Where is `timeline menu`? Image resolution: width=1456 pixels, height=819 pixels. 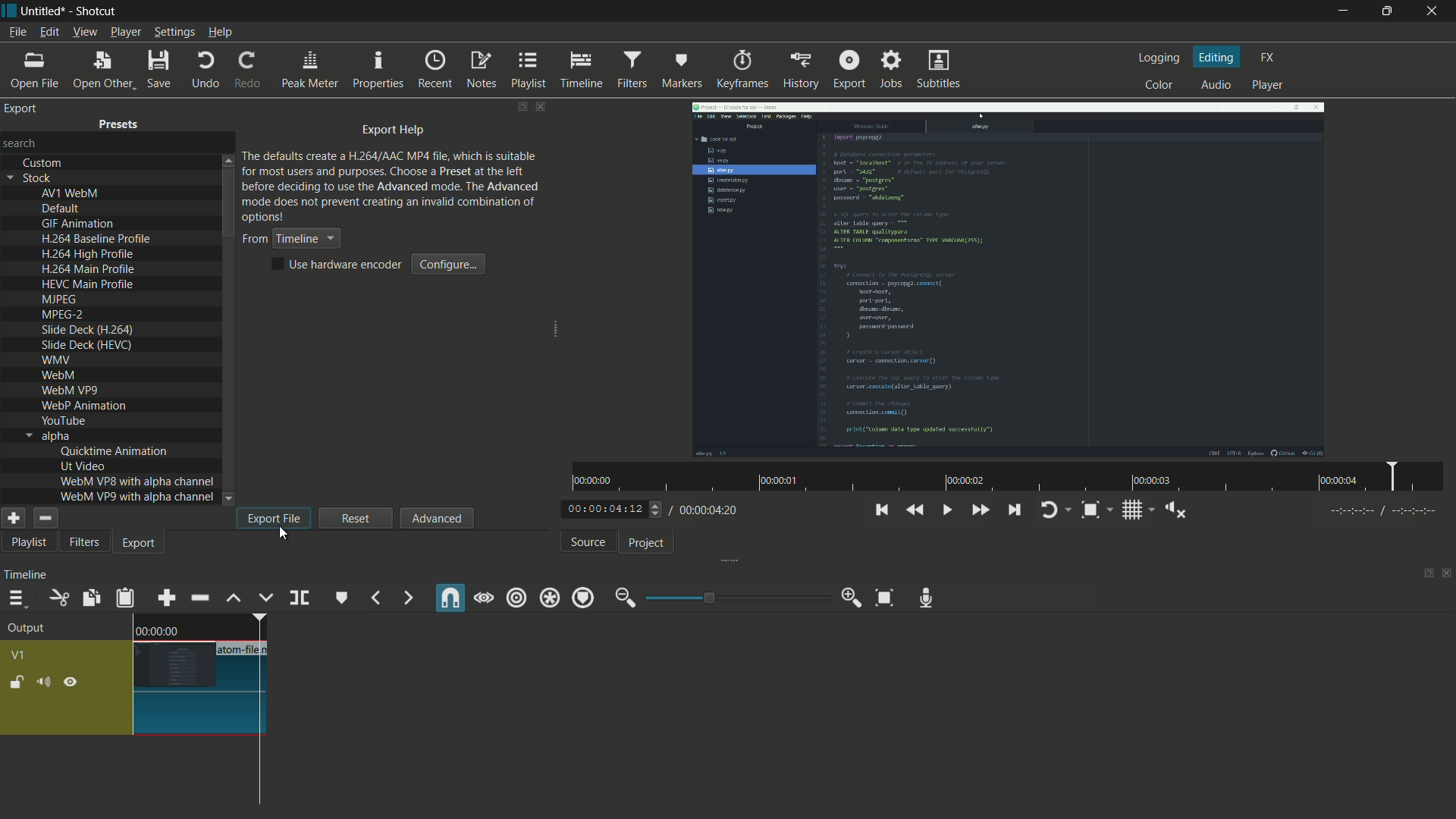
timeline menu is located at coordinates (17, 599).